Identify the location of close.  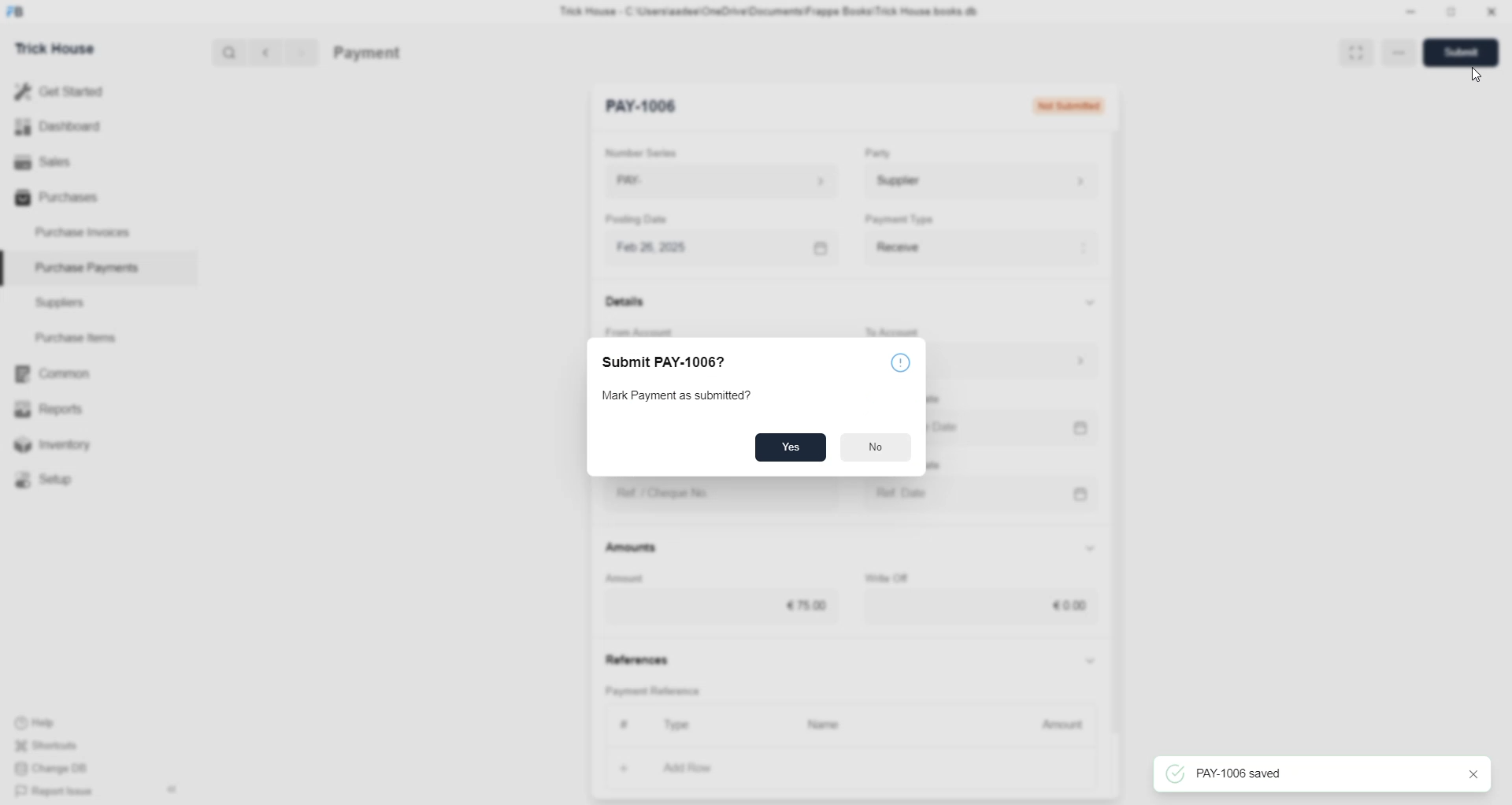
(1464, 774).